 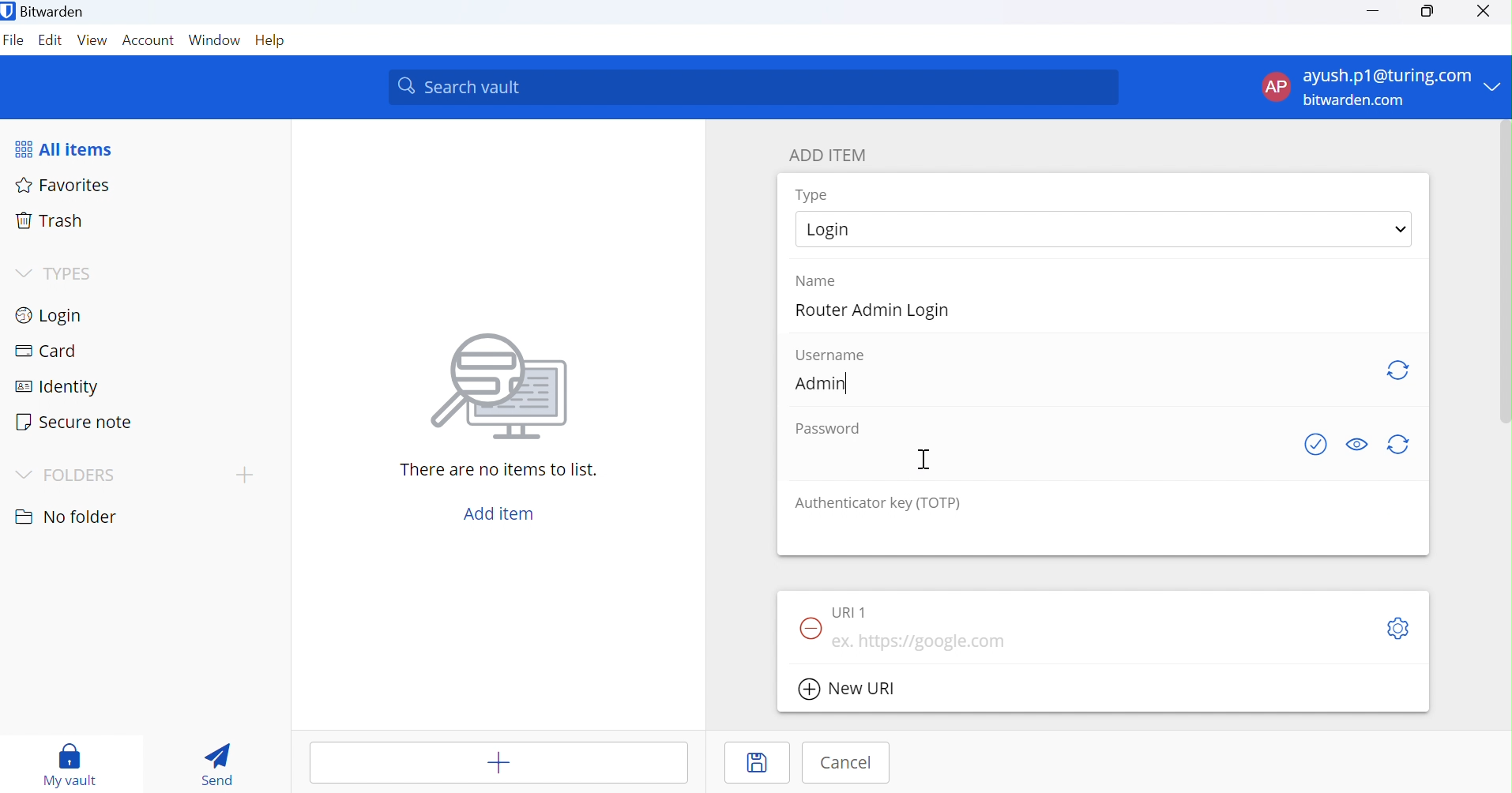 What do you see at coordinates (851, 690) in the screenshot?
I see `New URI` at bounding box center [851, 690].